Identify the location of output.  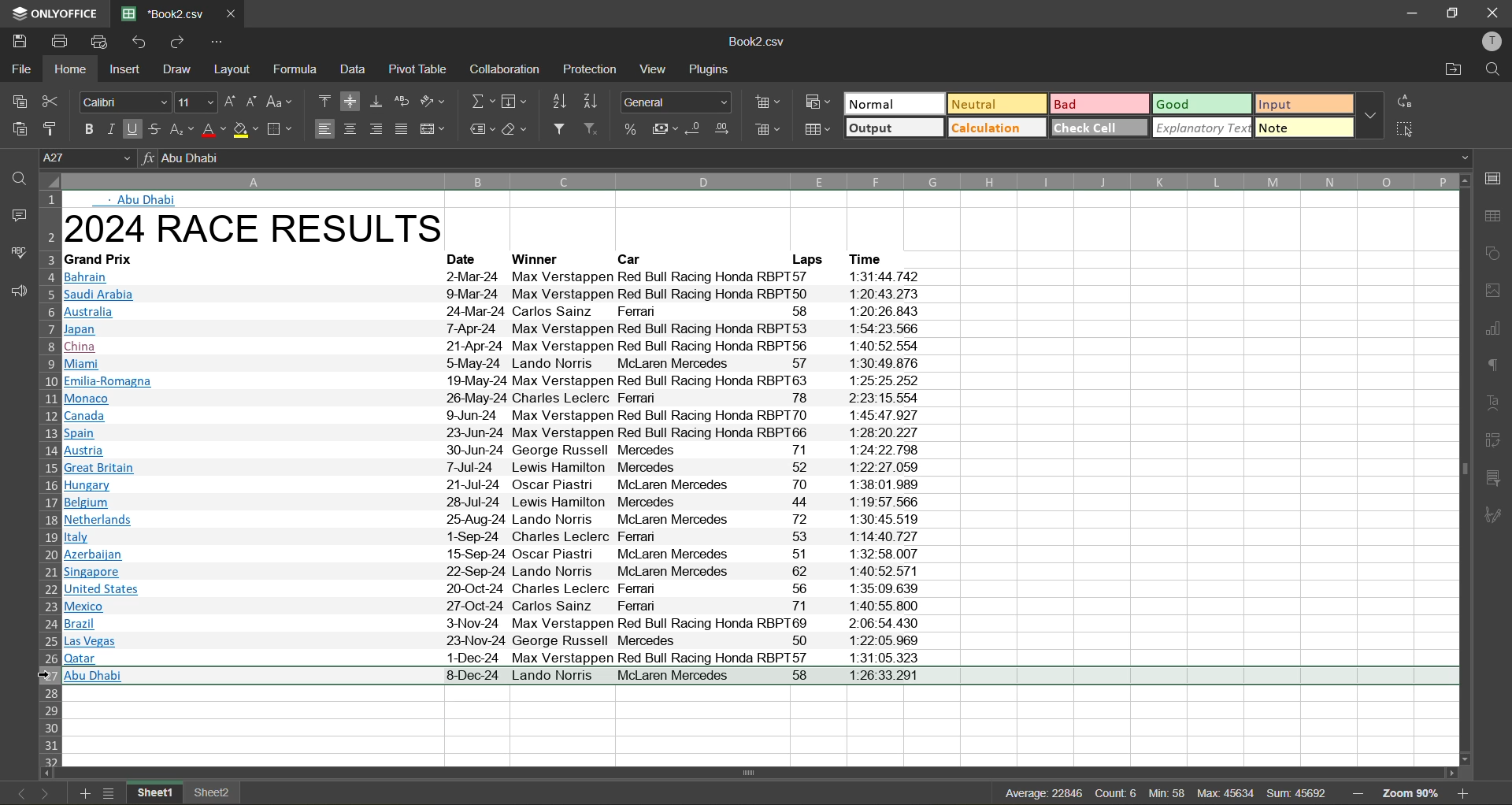
(895, 129).